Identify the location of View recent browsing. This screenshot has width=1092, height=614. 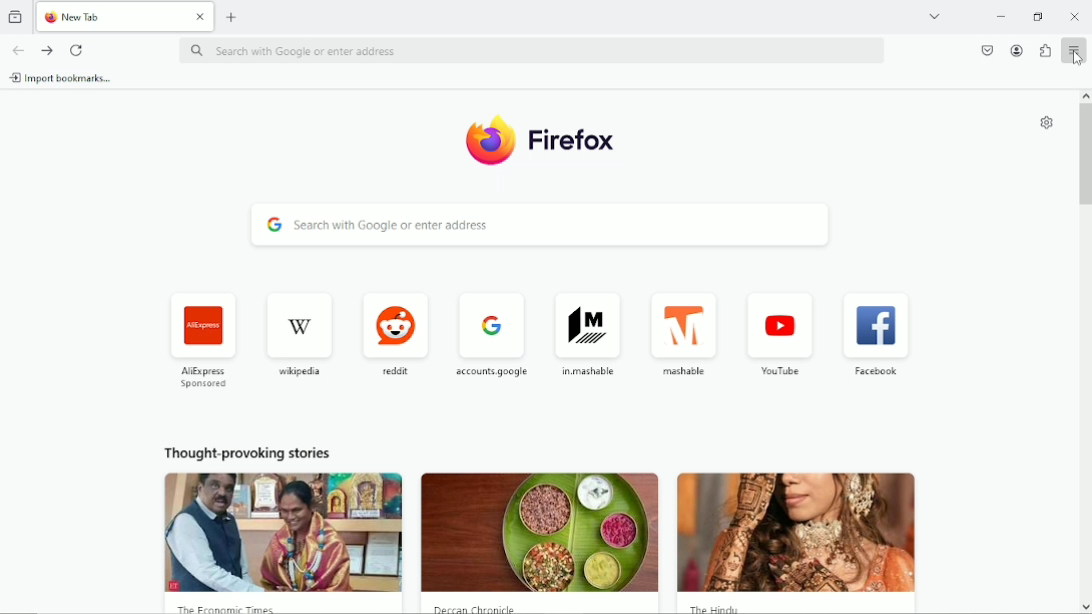
(17, 18).